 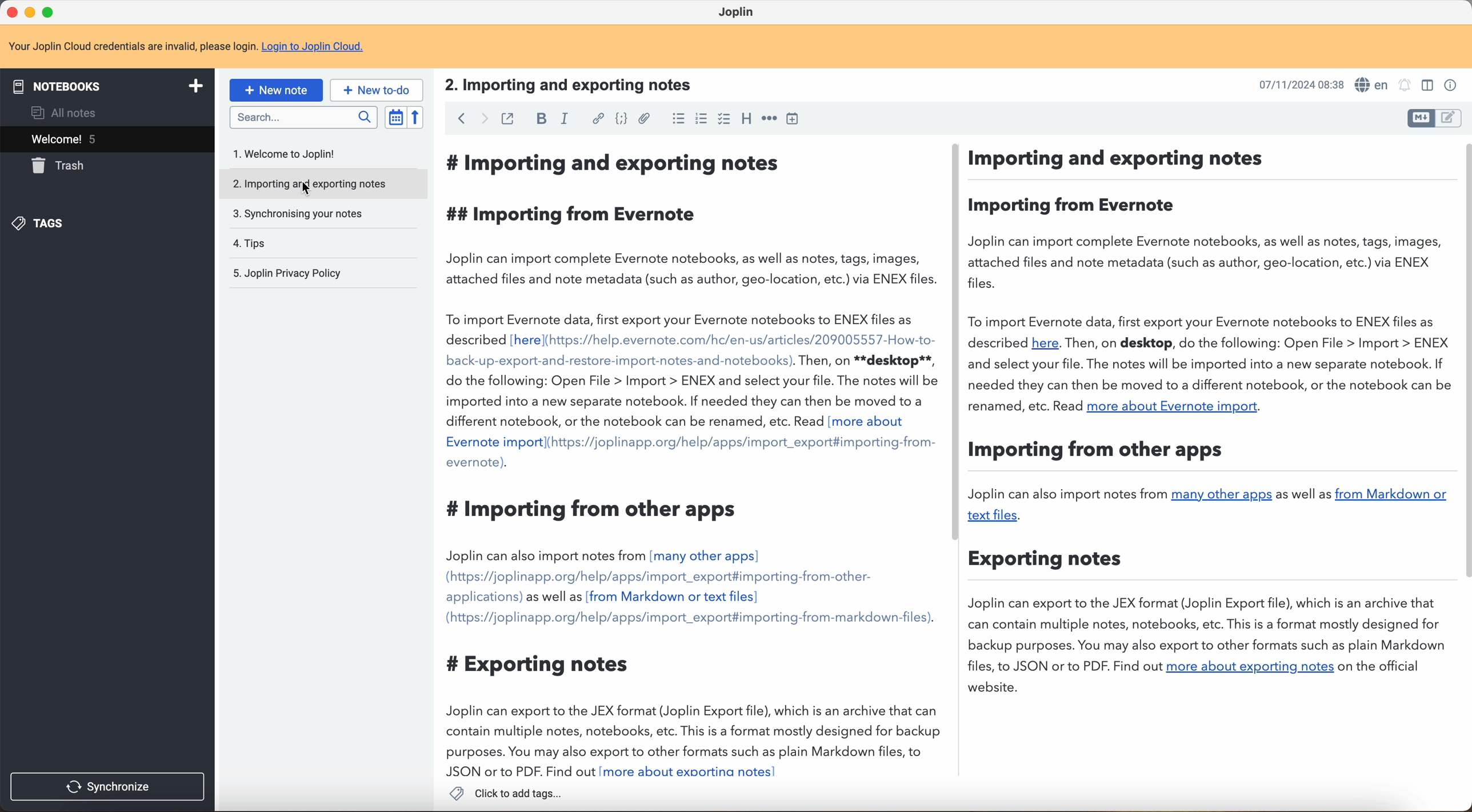 What do you see at coordinates (1421, 118) in the screenshot?
I see `toggle editor layout` at bounding box center [1421, 118].